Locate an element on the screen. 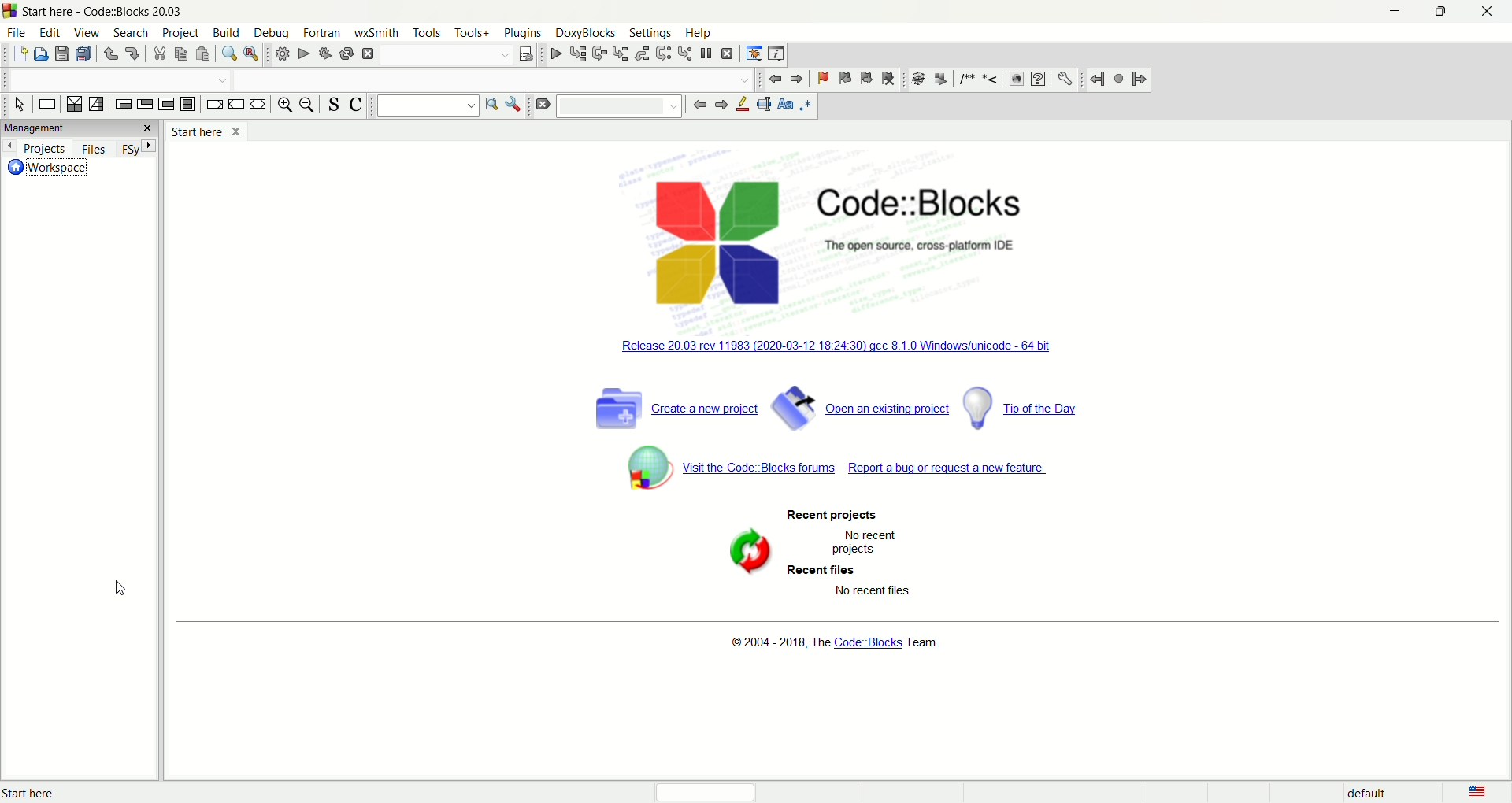 The height and width of the screenshot is (803, 1512). cursor is located at coordinates (120, 587).